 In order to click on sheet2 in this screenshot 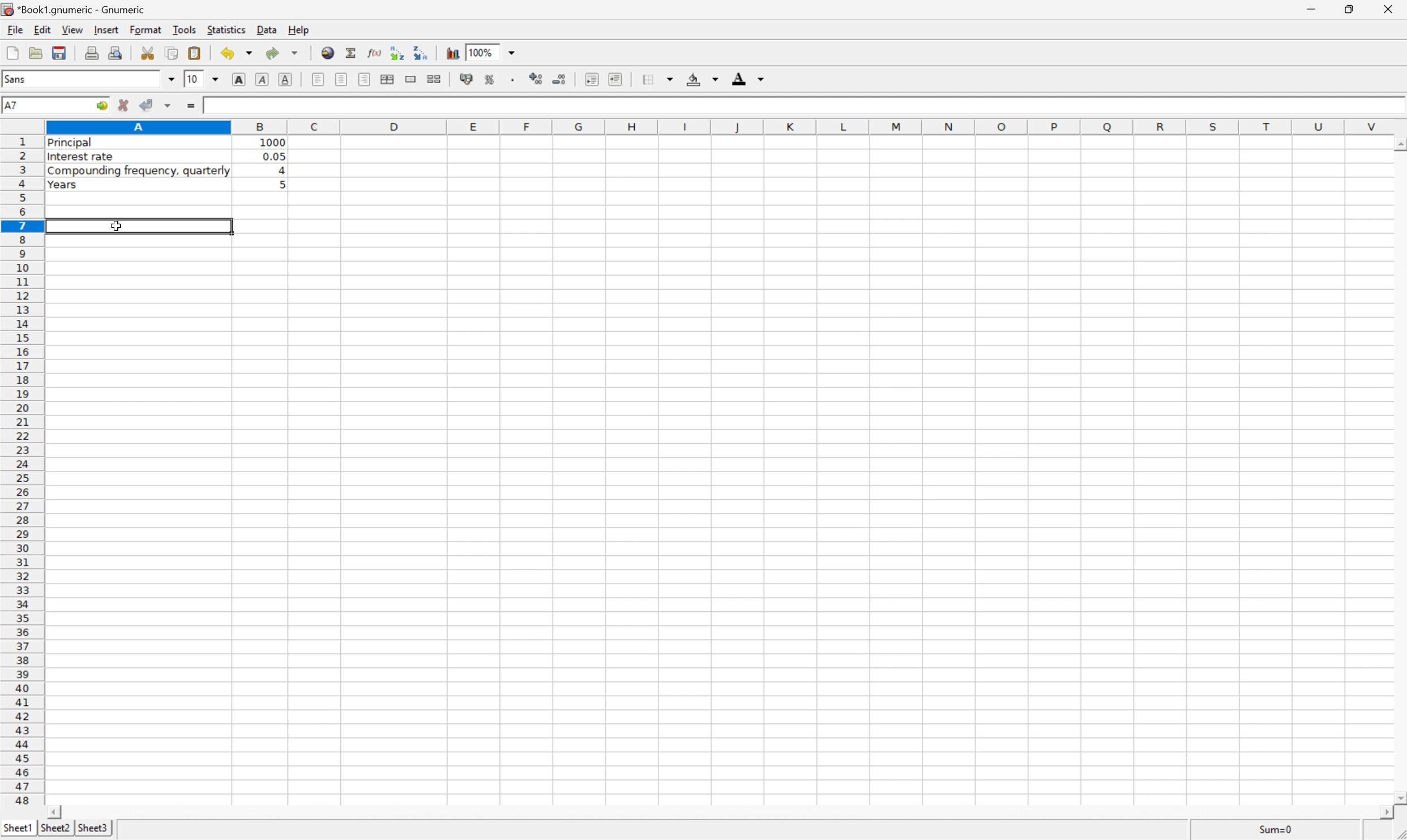, I will do `click(53, 830)`.